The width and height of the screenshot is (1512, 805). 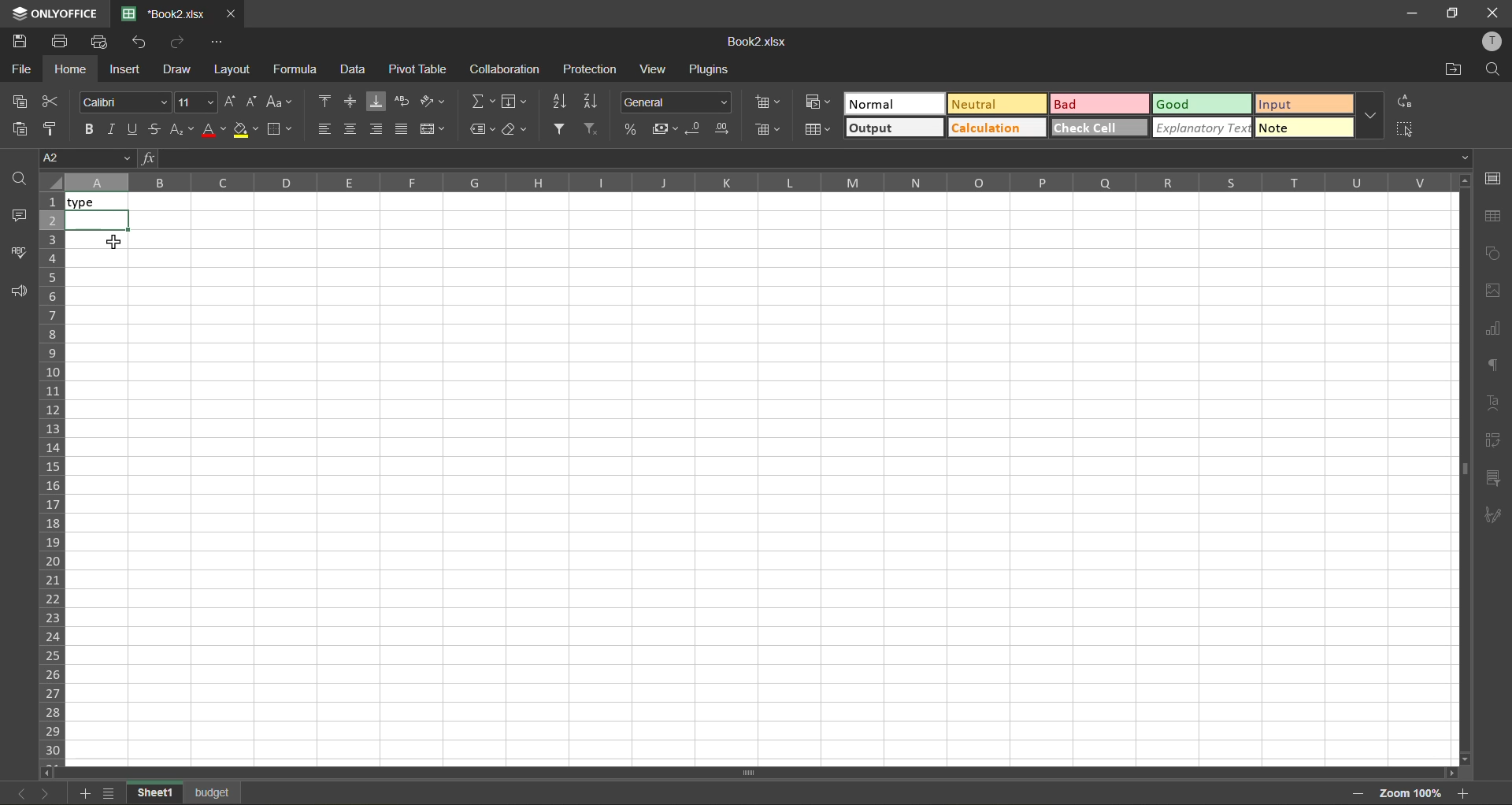 I want to click on cell settings, so click(x=1493, y=180).